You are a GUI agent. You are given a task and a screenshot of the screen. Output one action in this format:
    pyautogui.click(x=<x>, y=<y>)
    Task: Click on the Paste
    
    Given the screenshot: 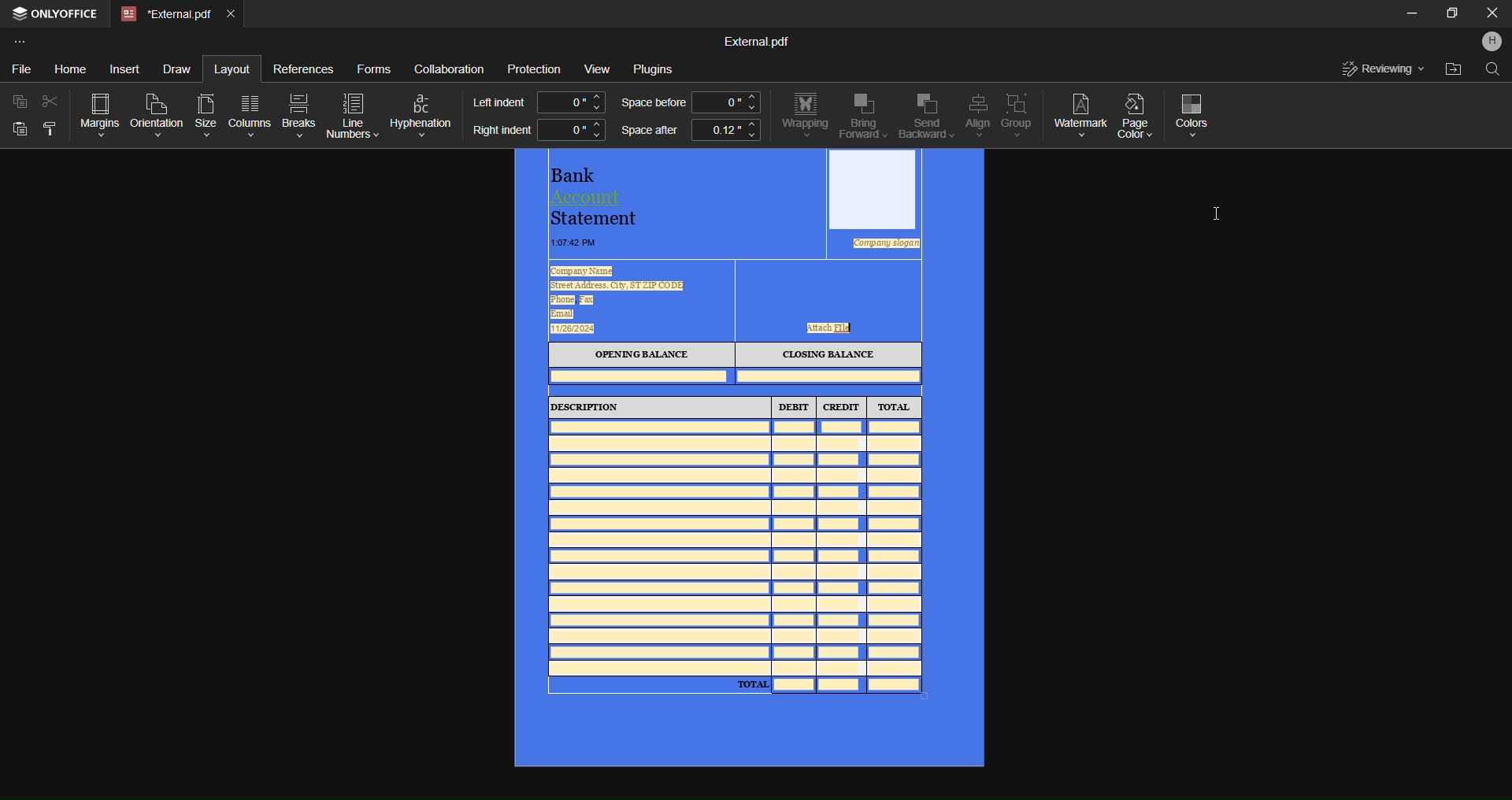 What is the action you would take?
    pyautogui.click(x=19, y=131)
    